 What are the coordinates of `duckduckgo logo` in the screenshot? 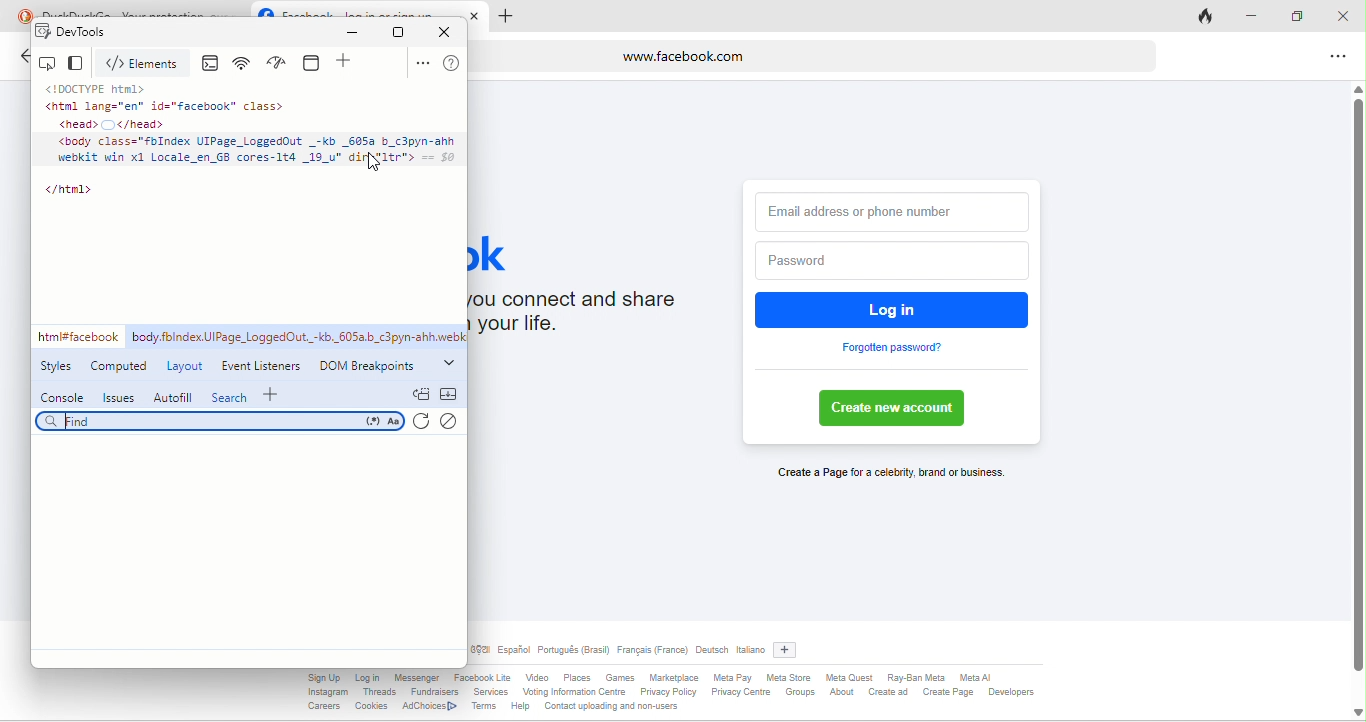 It's located at (20, 14).